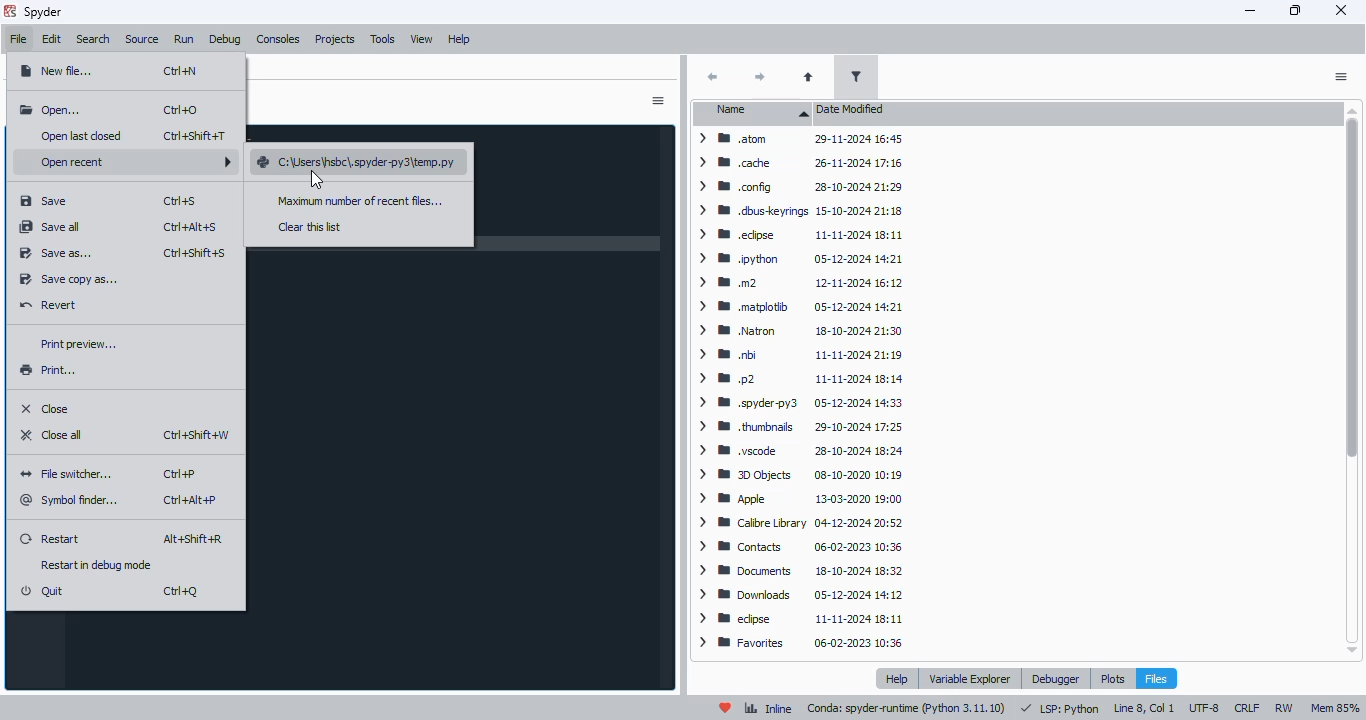  I want to click on source, so click(143, 39).